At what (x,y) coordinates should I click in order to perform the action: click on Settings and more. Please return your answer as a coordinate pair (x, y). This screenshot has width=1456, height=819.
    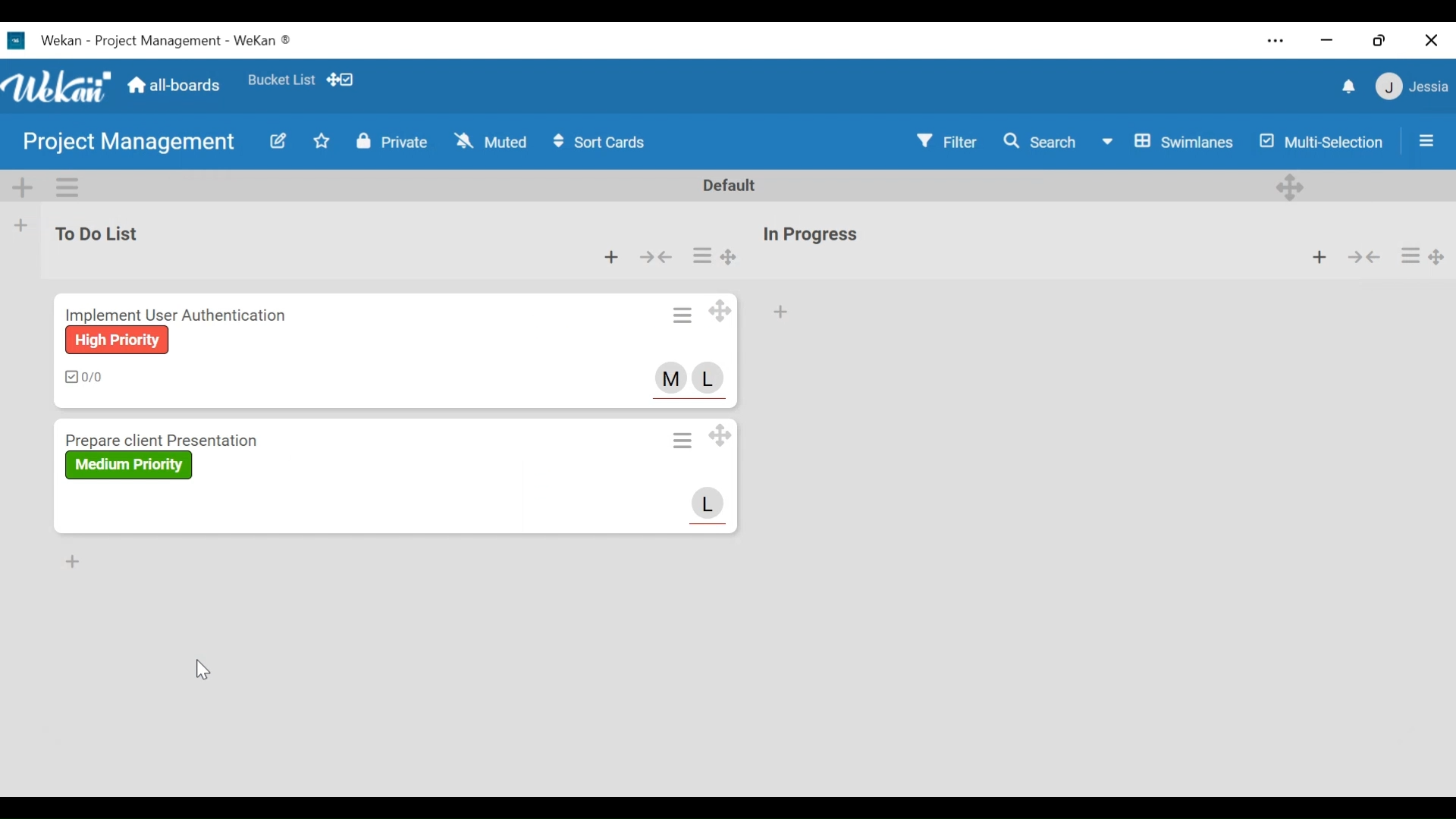
    Looking at the image, I should click on (1275, 42).